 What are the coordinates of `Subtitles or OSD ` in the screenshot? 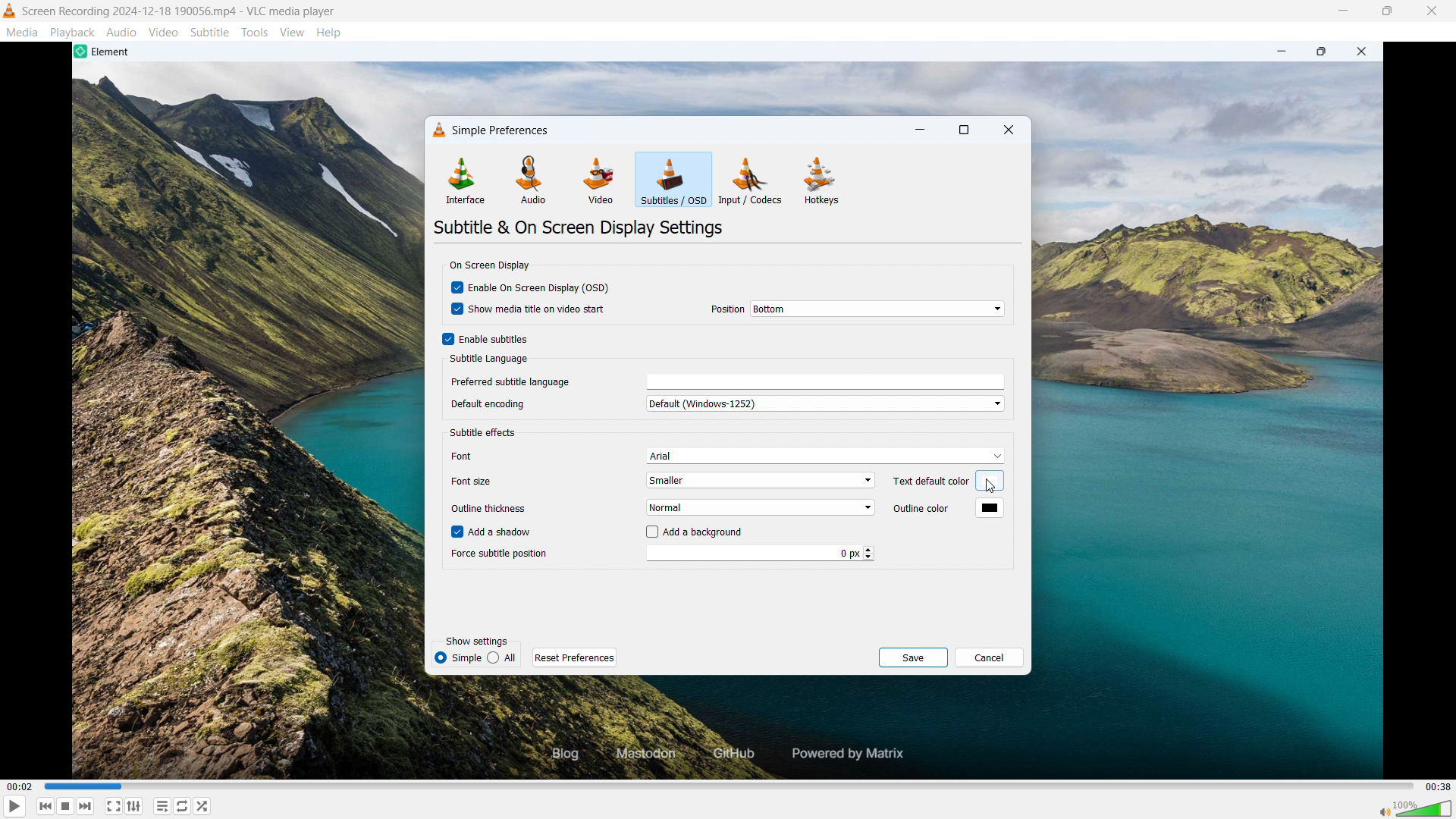 It's located at (673, 180).